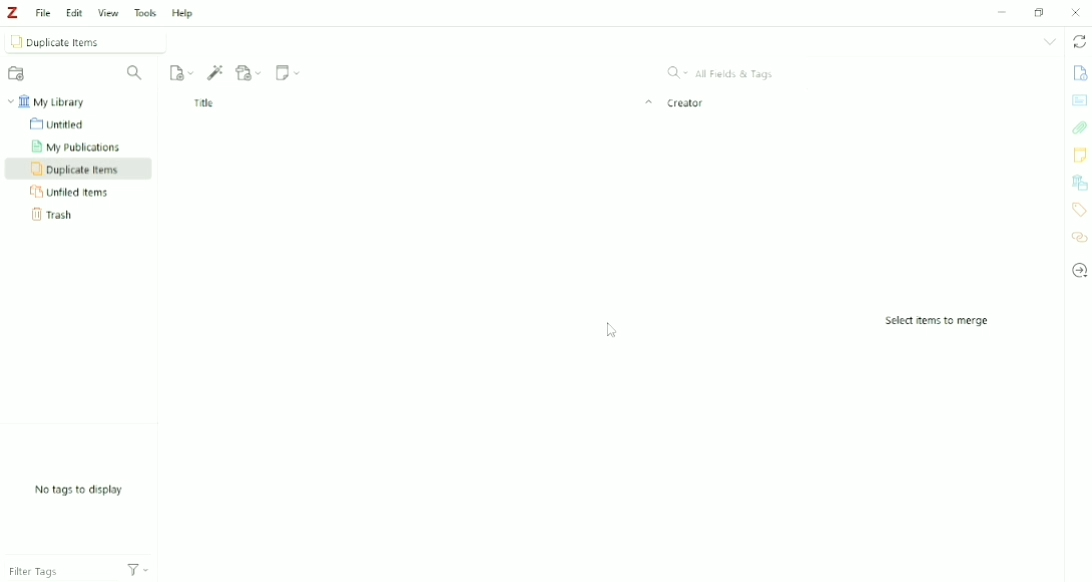 The height and width of the screenshot is (582, 1092). I want to click on New Item, so click(181, 73).